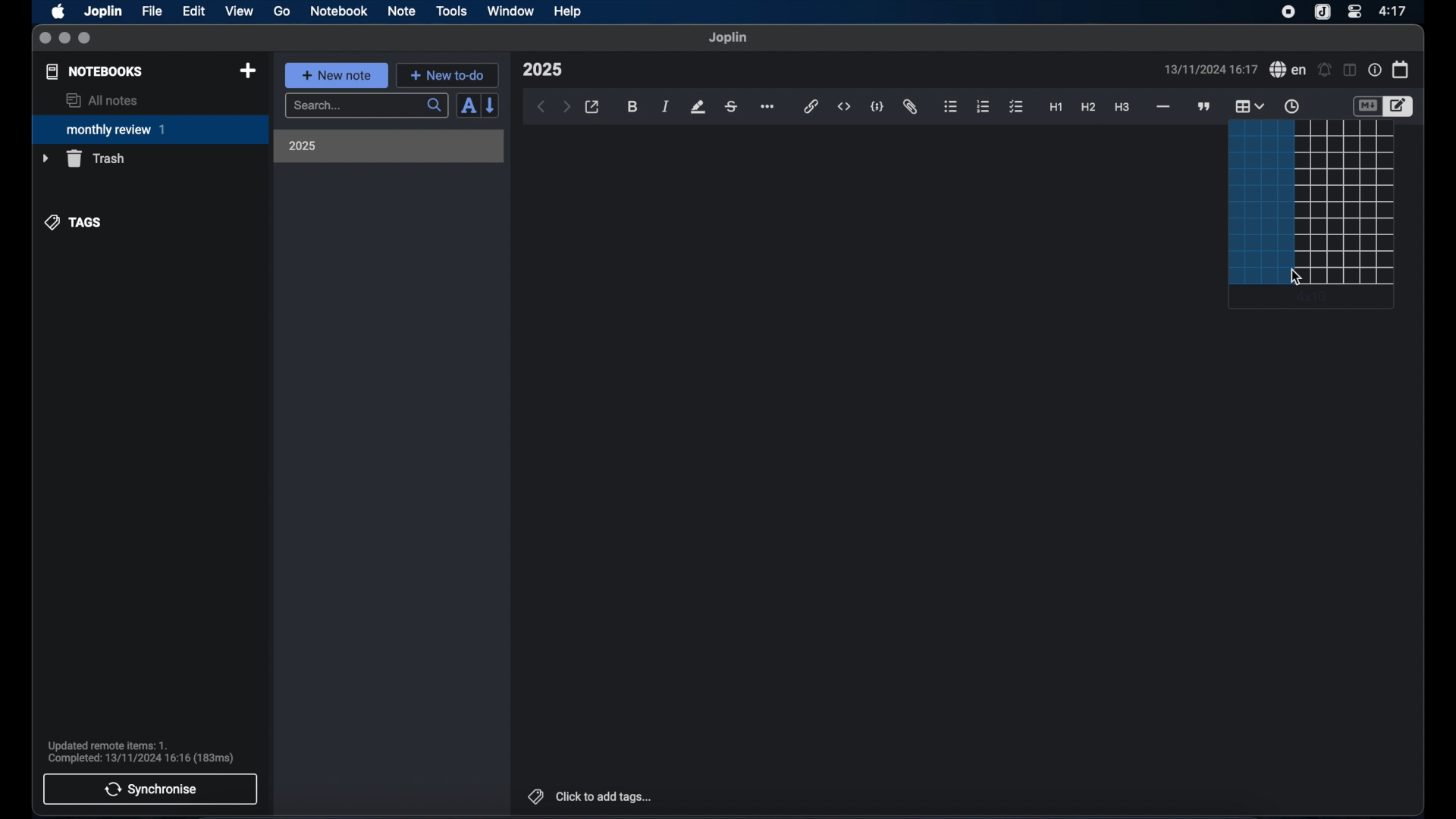 The height and width of the screenshot is (819, 1456). I want to click on go, so click(282, 11).